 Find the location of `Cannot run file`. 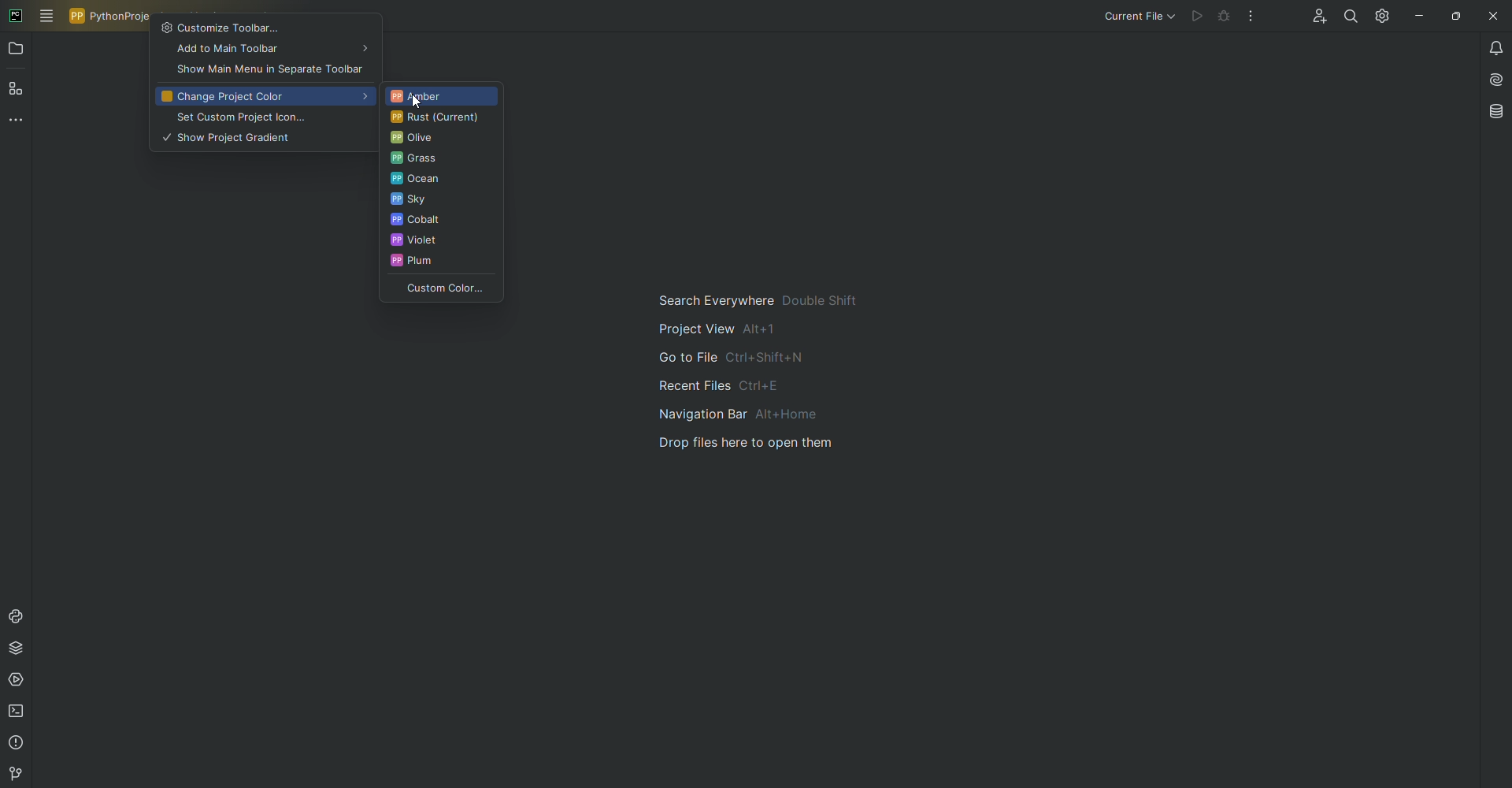

Cannot run file is located at coordinates (1199, 17).